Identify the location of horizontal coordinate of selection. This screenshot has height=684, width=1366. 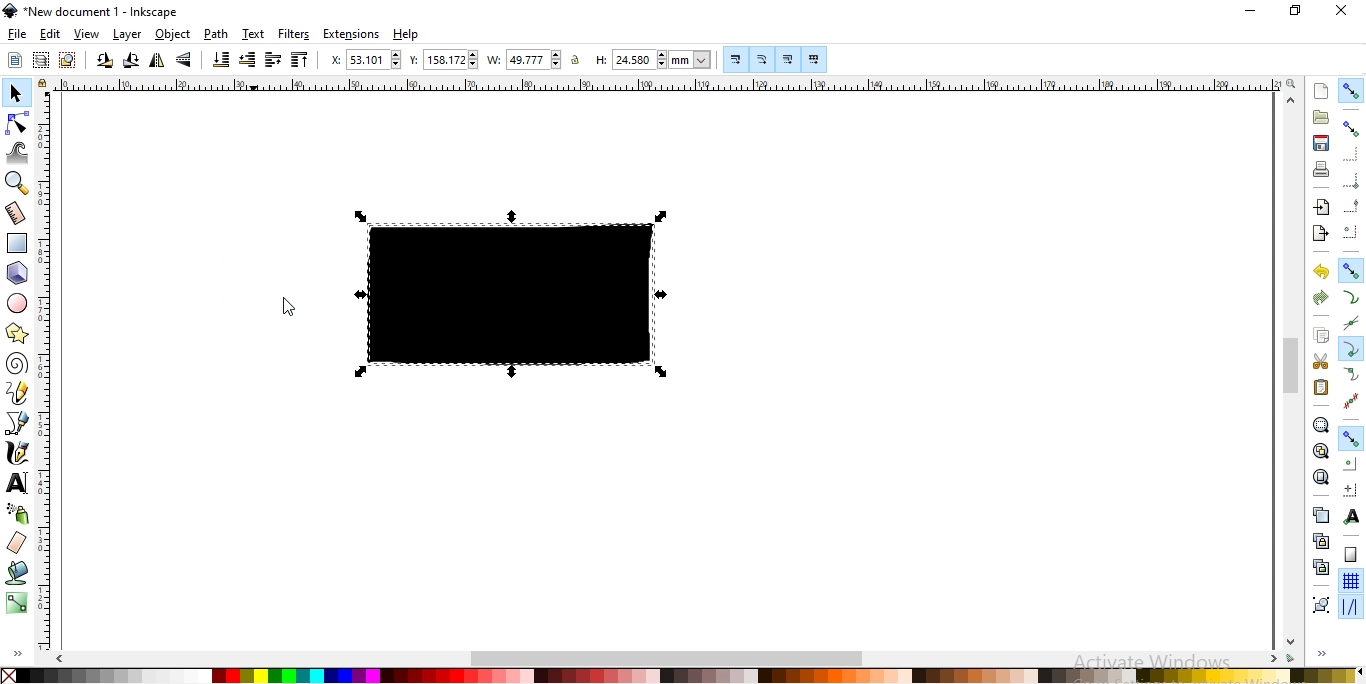
(363, 59).